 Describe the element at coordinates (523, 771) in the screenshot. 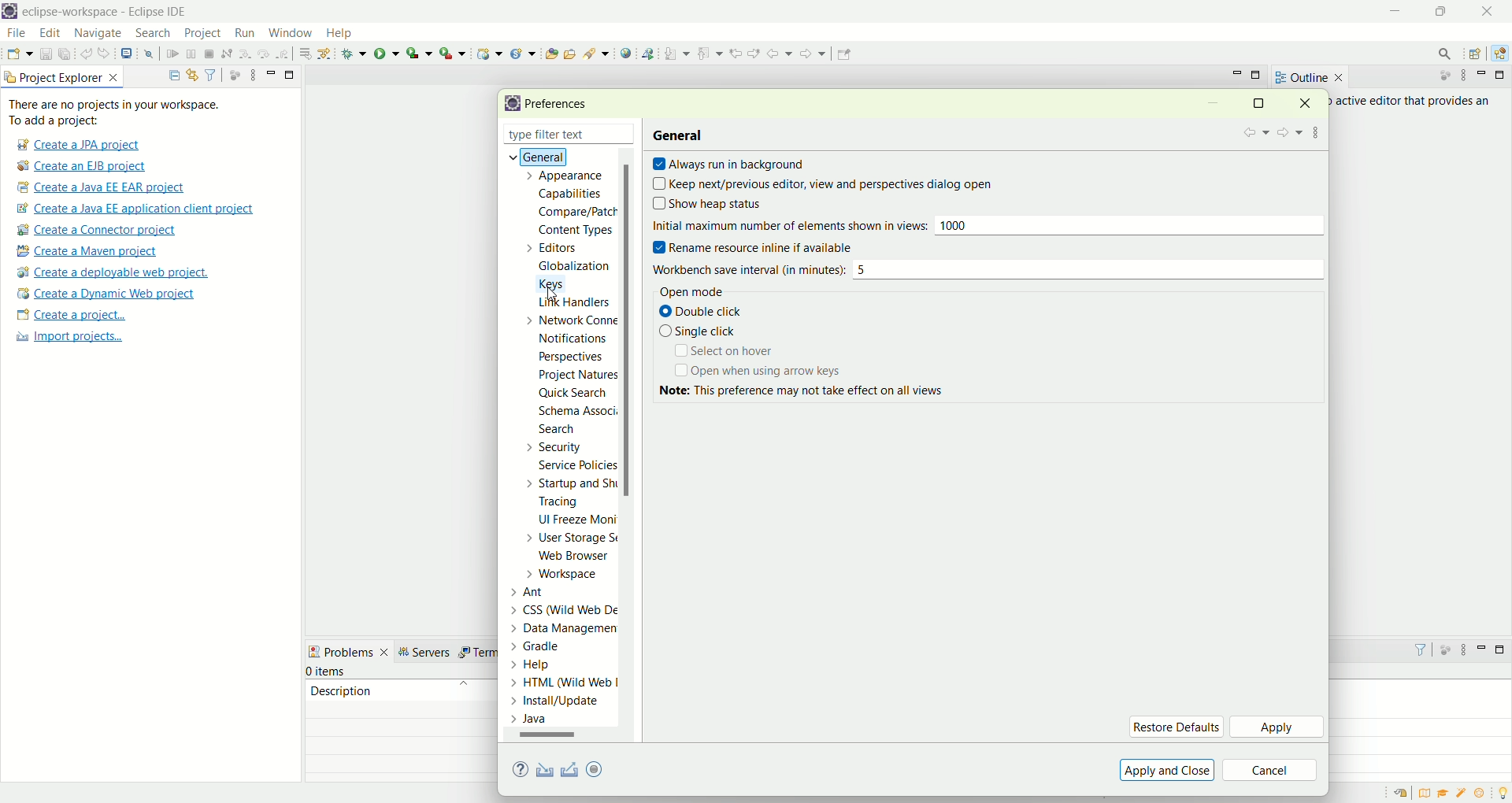

I see `help` at that location.